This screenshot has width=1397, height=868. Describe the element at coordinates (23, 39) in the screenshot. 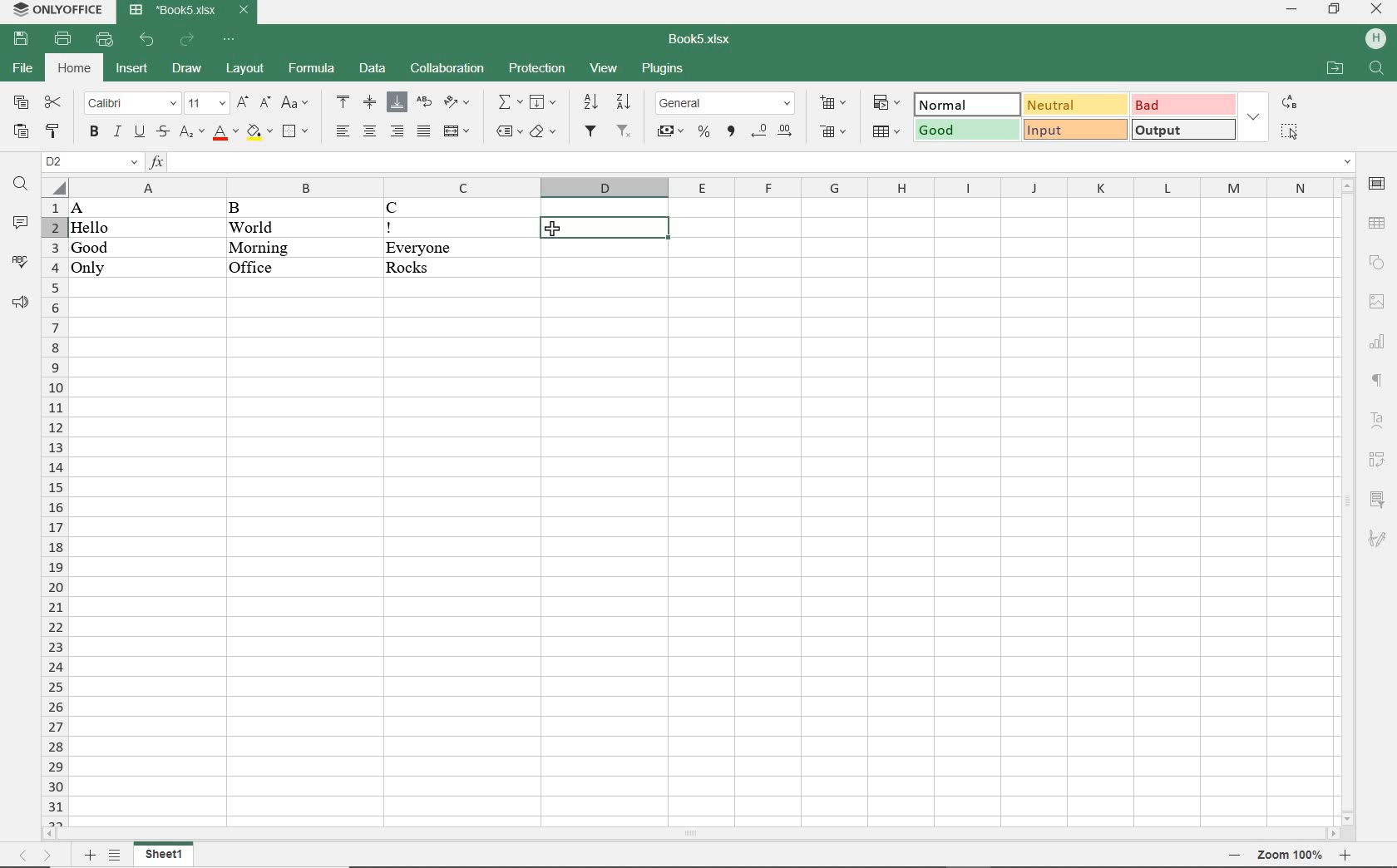

I see `save` at that location.